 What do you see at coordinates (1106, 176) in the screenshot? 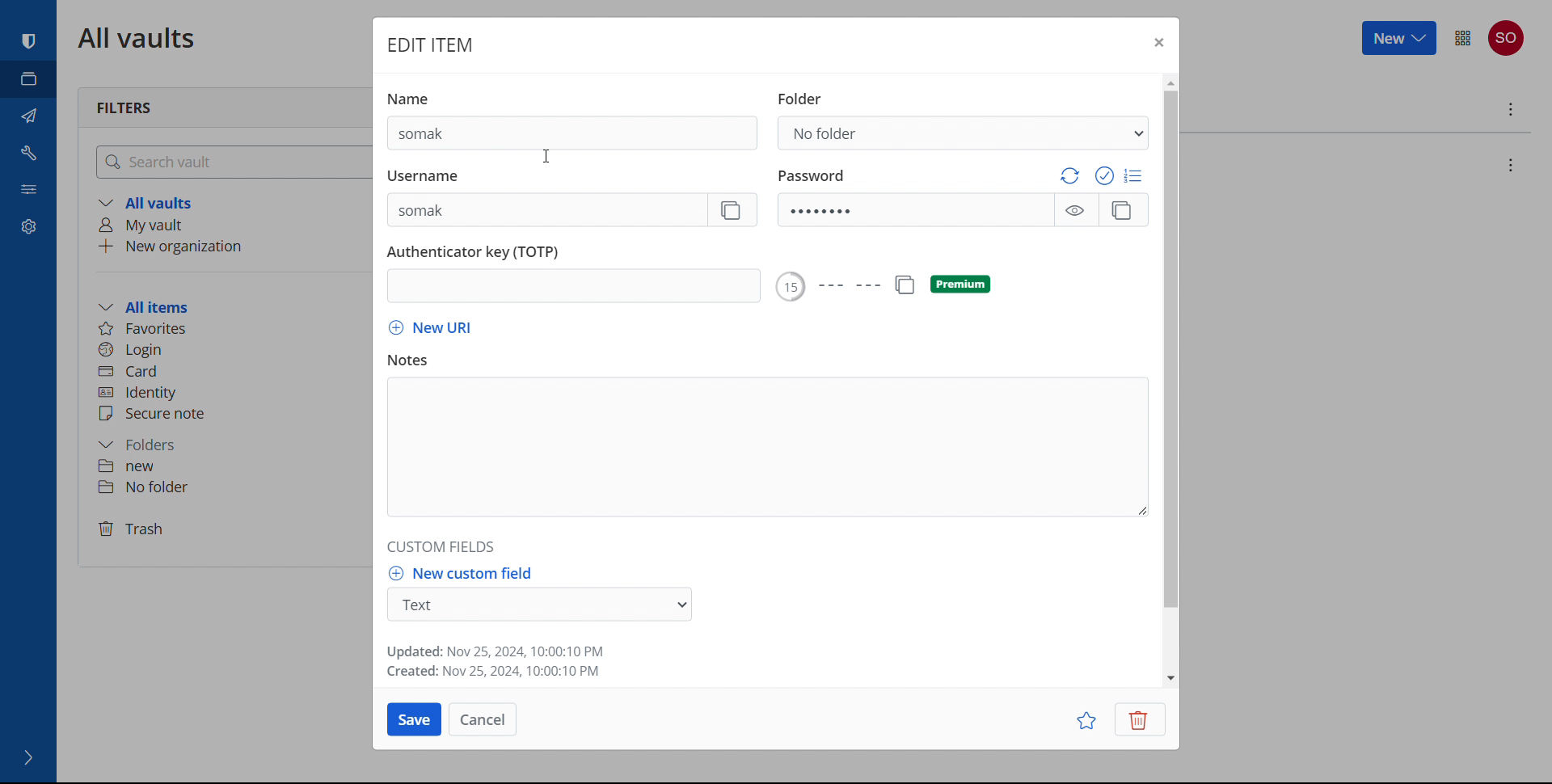
I see `check if password has been exposed` at bounding box center [1106, 176].